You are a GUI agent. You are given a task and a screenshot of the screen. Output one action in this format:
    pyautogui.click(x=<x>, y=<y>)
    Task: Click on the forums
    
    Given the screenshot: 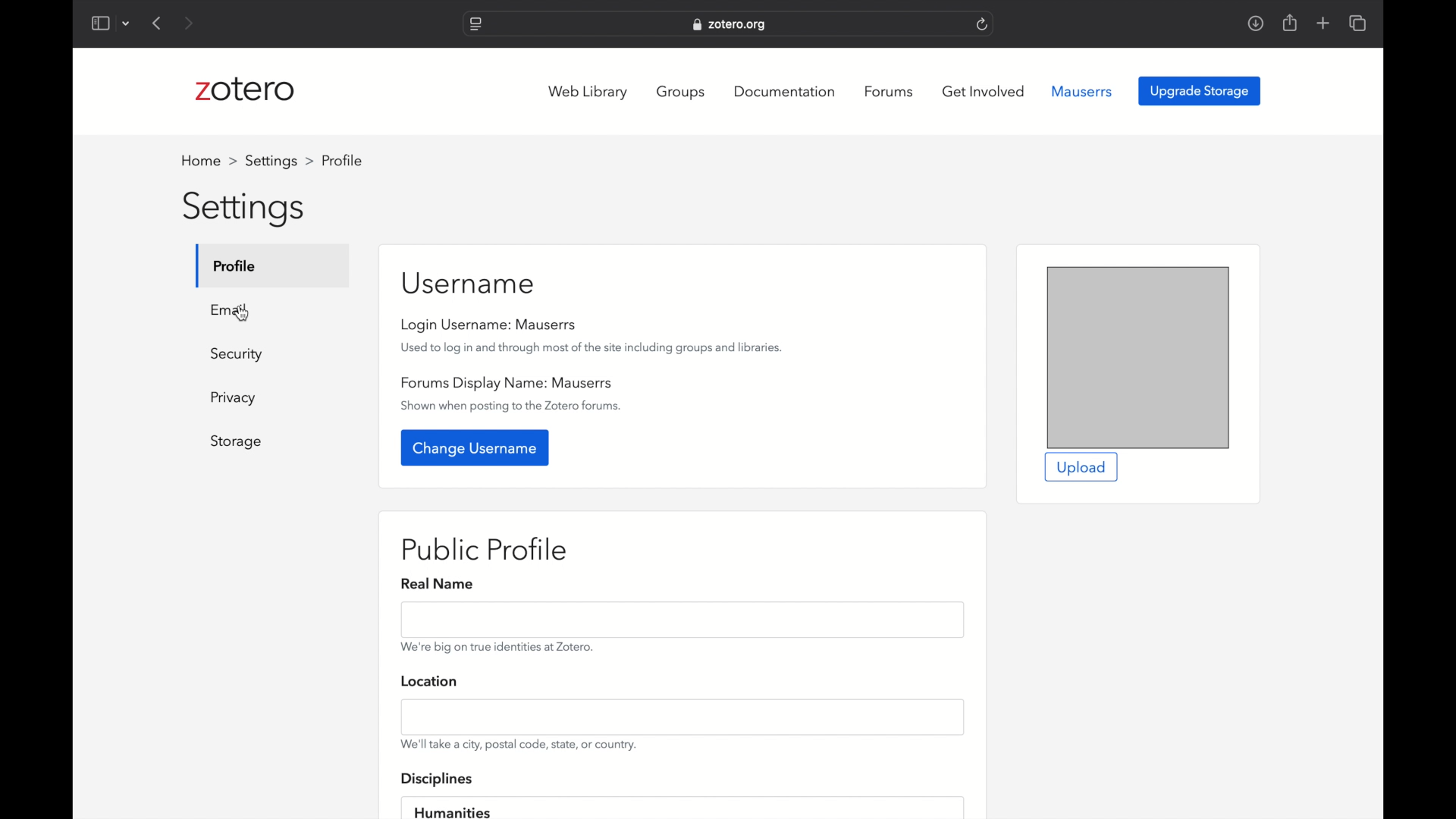 What is the action you would take?
    pyautogui.click(x=889, y=92)
    